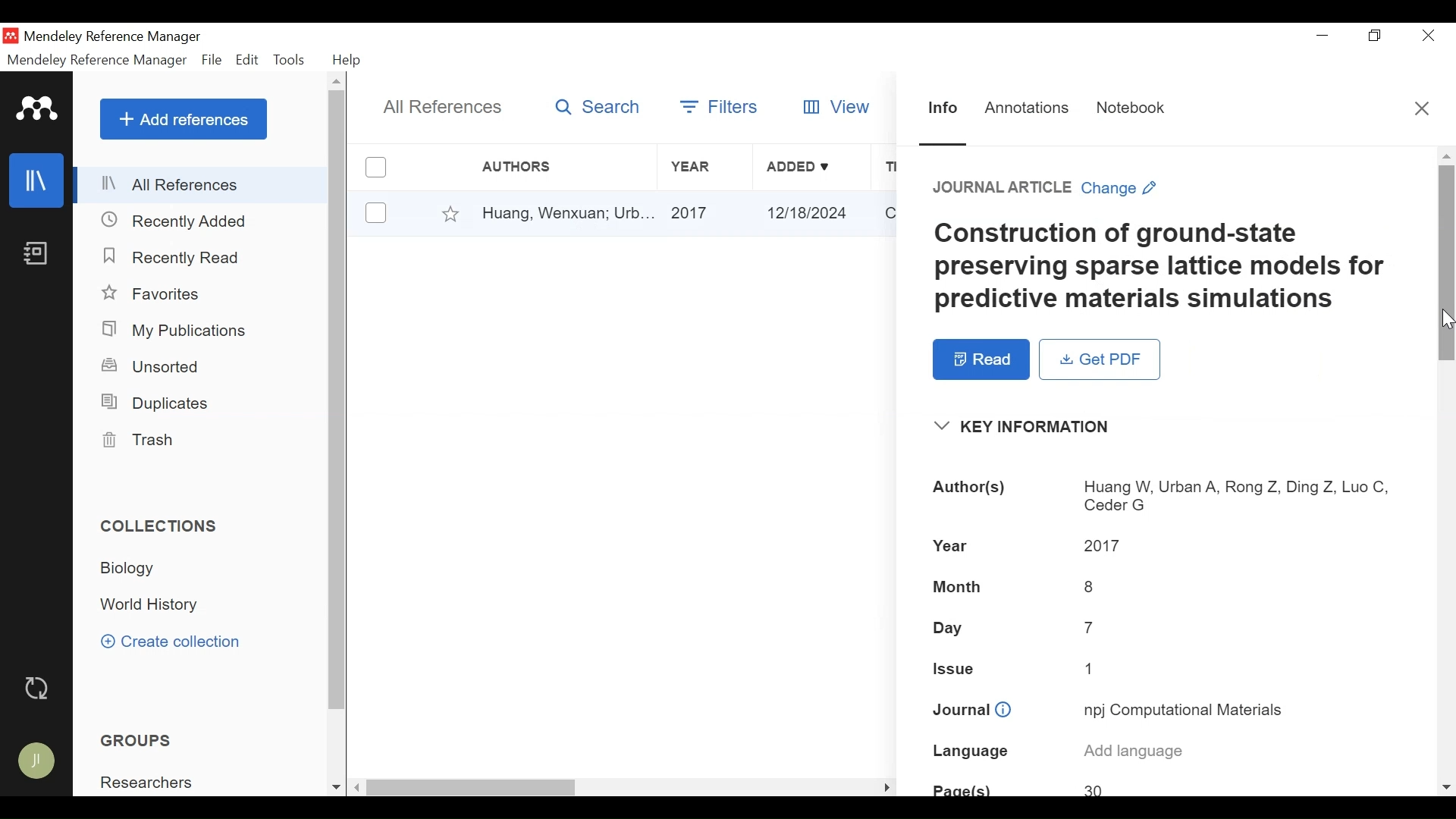 This screenshot has width=1456, height=819. What do you see at coordinates (39, 255) in the screenshot?
I see `Notebook` at bounding box center [39, 255].